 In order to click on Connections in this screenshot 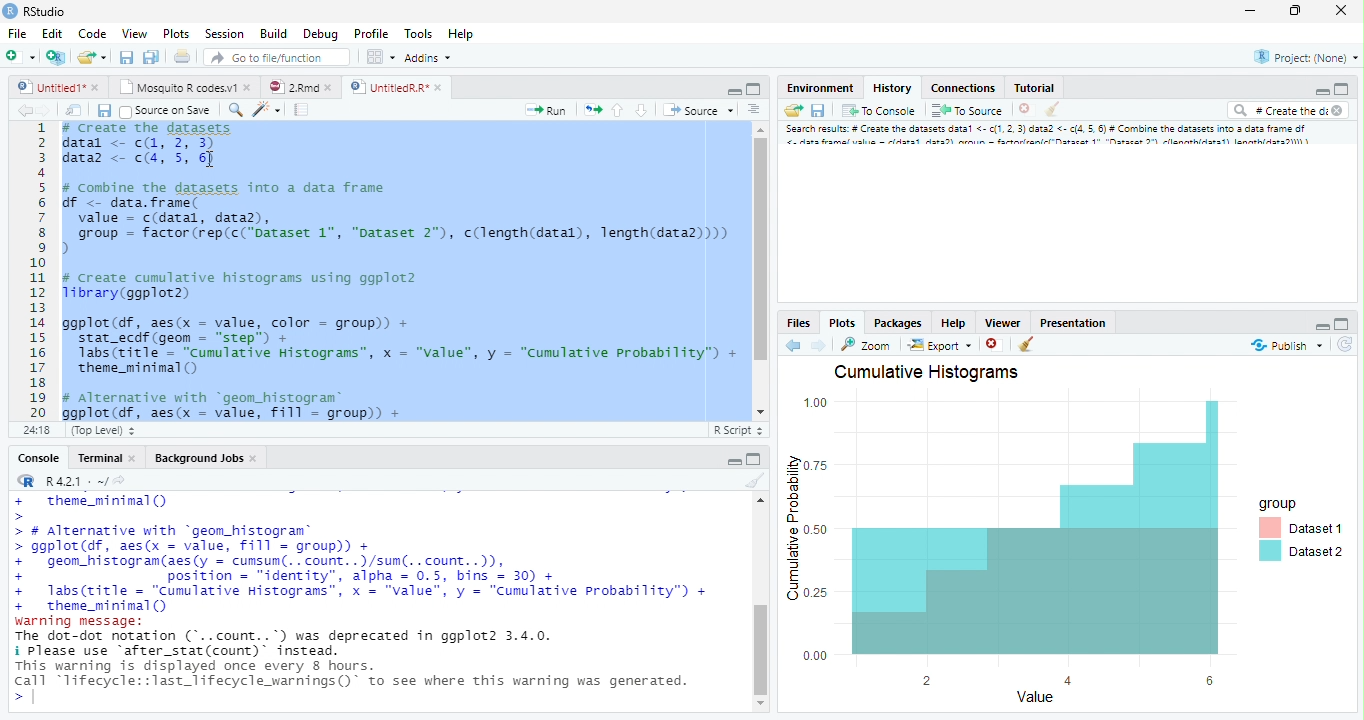, I will do `click(964, 88)`.